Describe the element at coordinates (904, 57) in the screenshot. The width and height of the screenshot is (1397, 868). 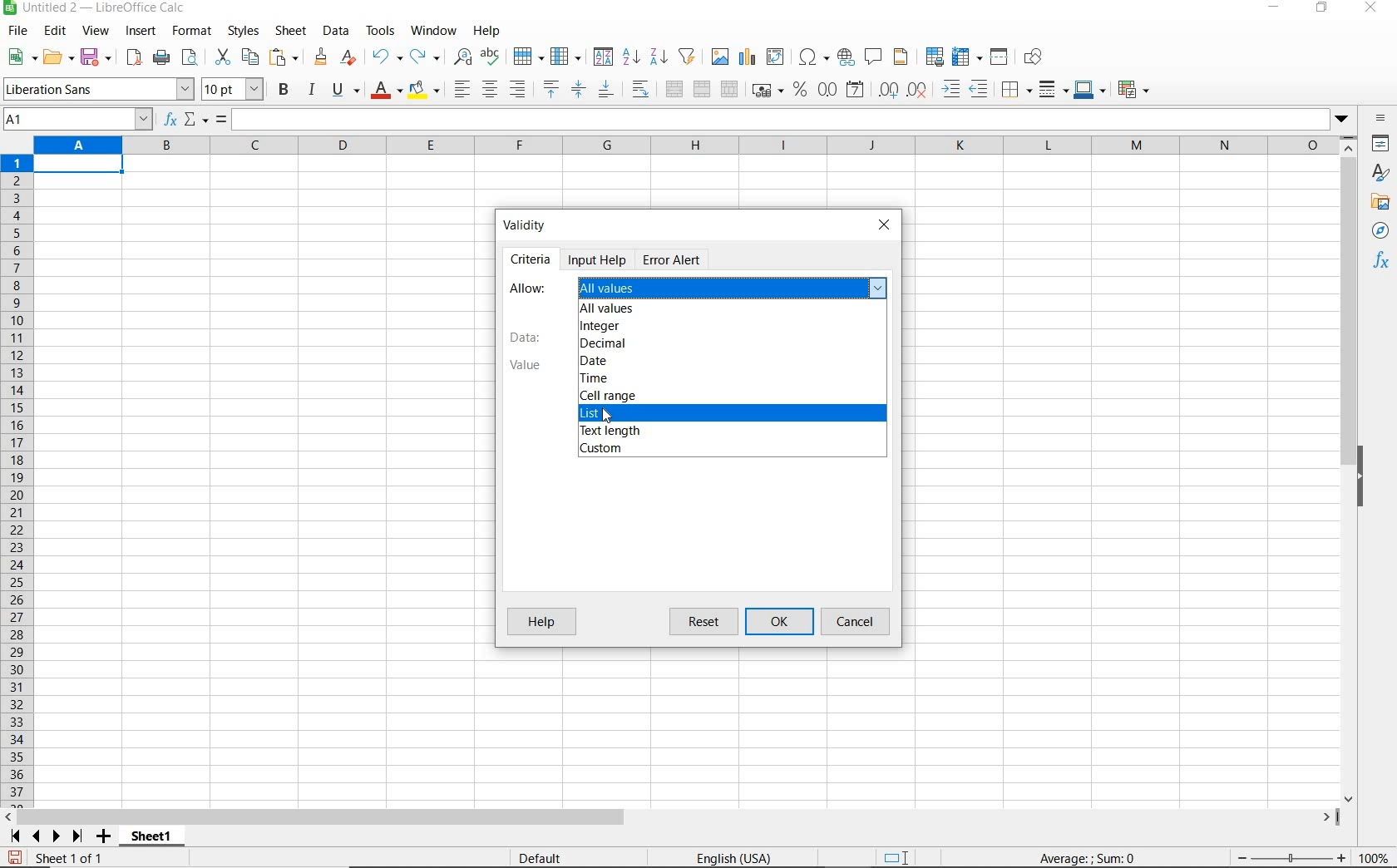
I see `headers and footers` at that location.